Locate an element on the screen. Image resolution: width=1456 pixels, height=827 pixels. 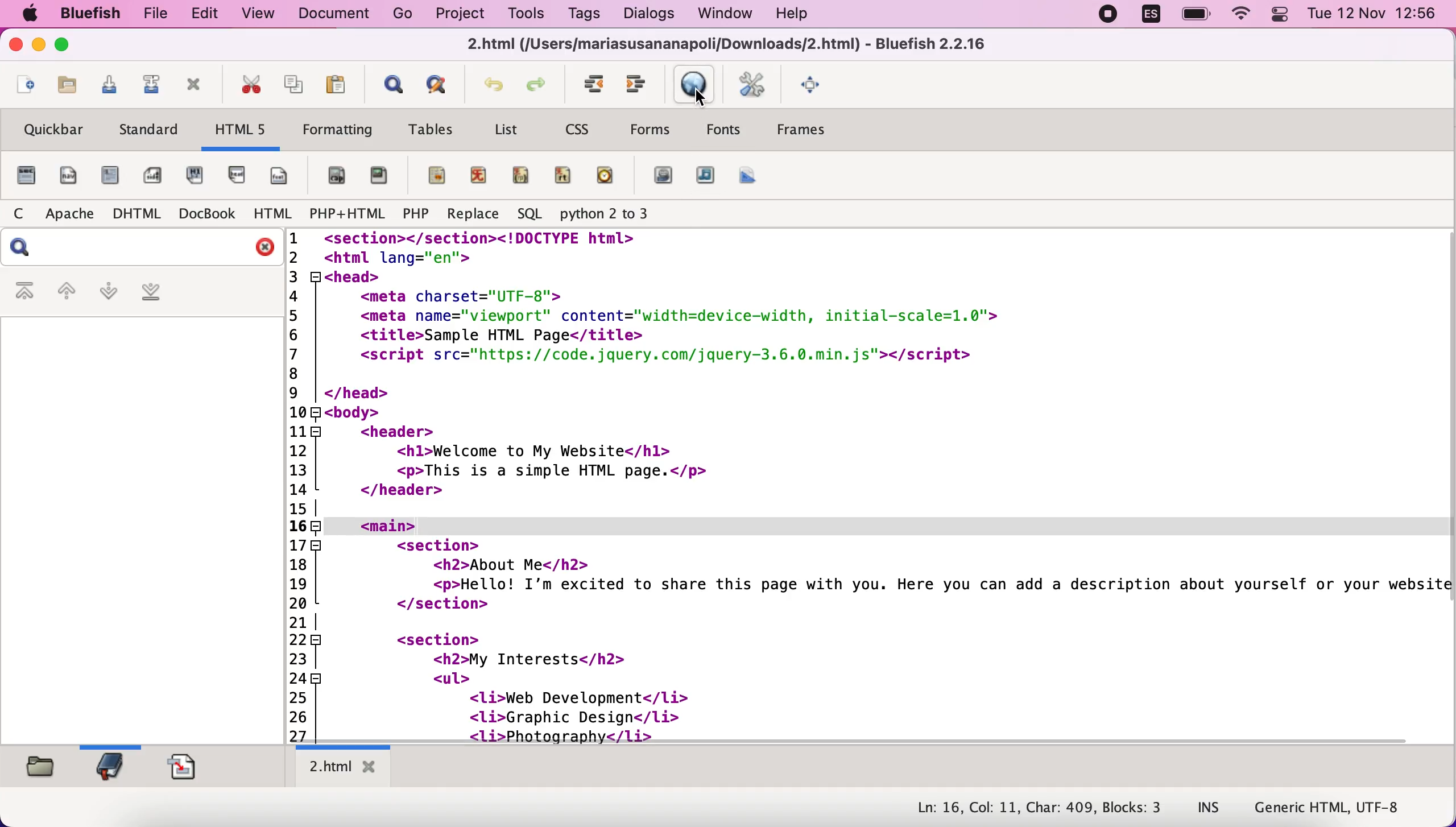
filebrowser is located at coordinates (40, 769).